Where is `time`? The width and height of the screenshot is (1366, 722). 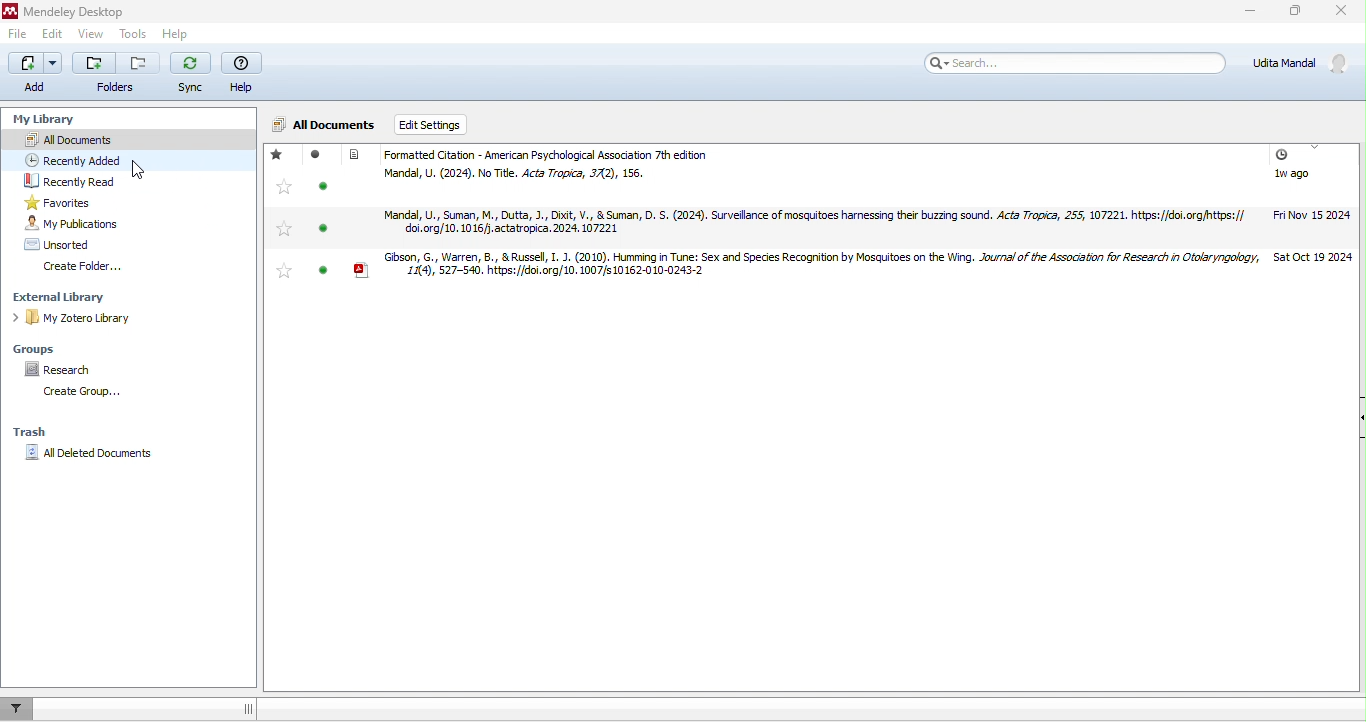
time is located at coordinates (1281, 157).